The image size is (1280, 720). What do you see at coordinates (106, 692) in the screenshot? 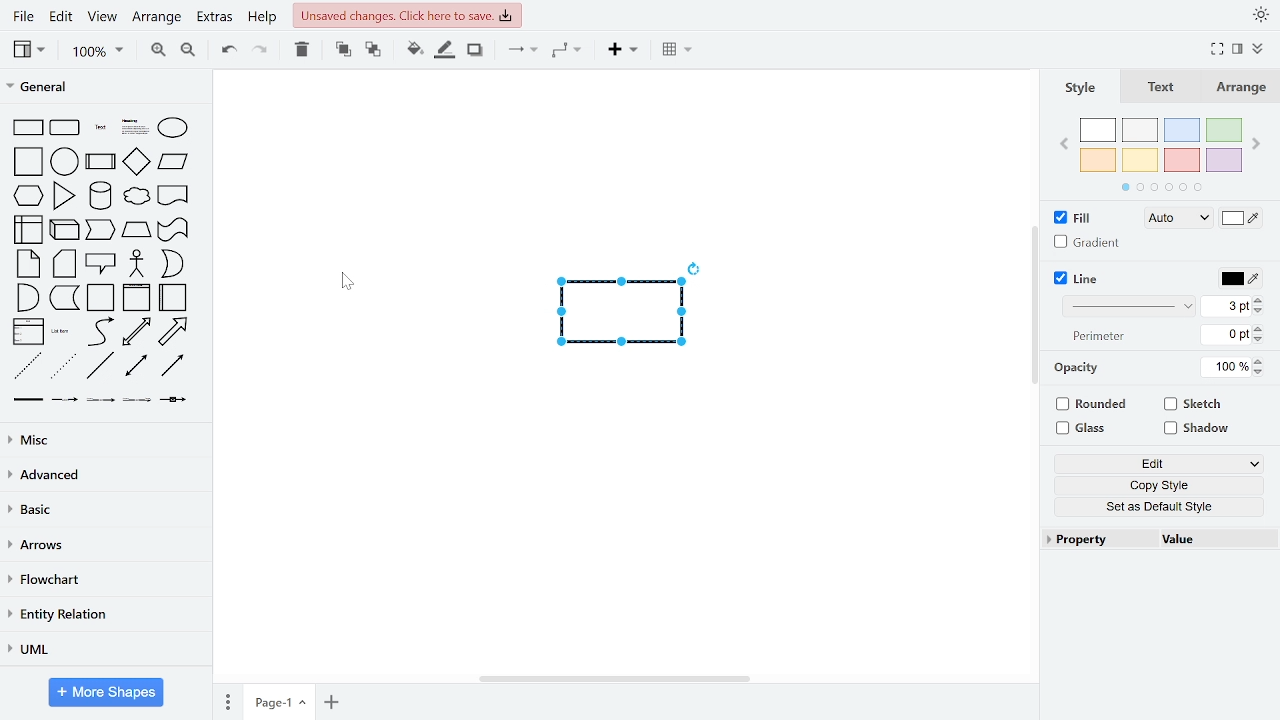
I see `more shapes` at bounding box center [106, 692].